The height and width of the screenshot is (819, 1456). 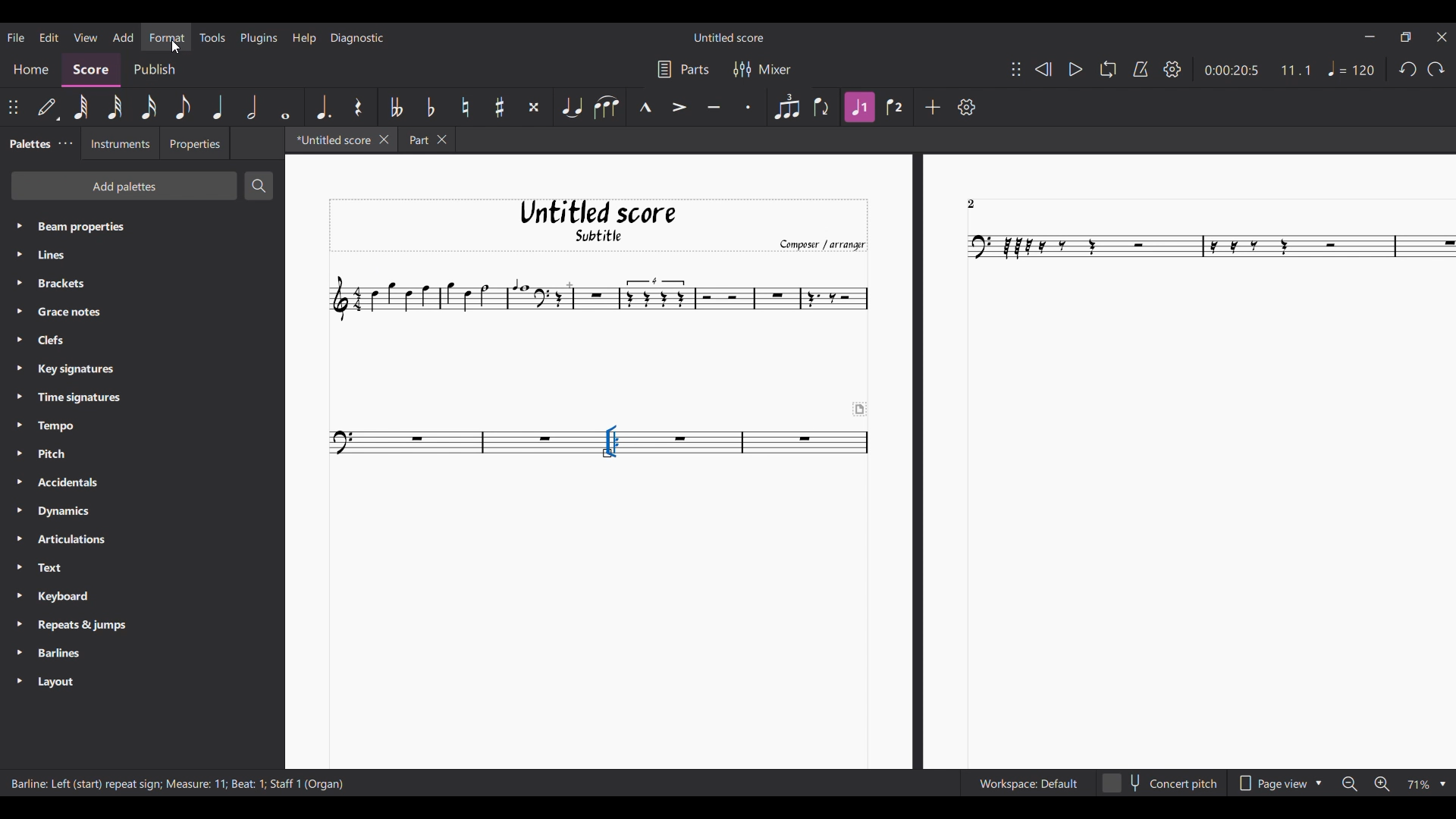 What do you see at coordinates (91, 71) in the screenshot?
I see `Score, current selection` at bounding box center [91, 71].